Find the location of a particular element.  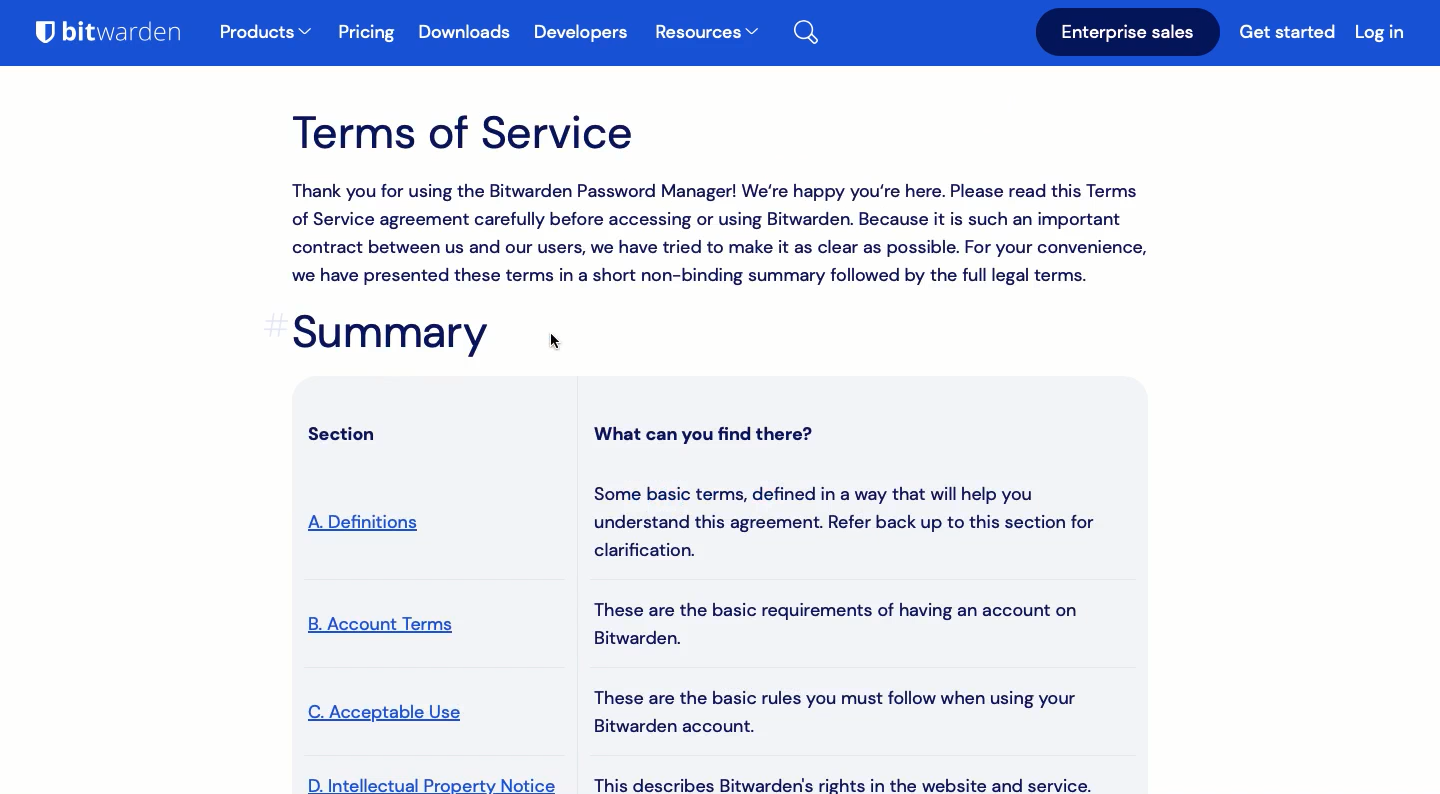

Get started is located at coordinates (1290, 35).